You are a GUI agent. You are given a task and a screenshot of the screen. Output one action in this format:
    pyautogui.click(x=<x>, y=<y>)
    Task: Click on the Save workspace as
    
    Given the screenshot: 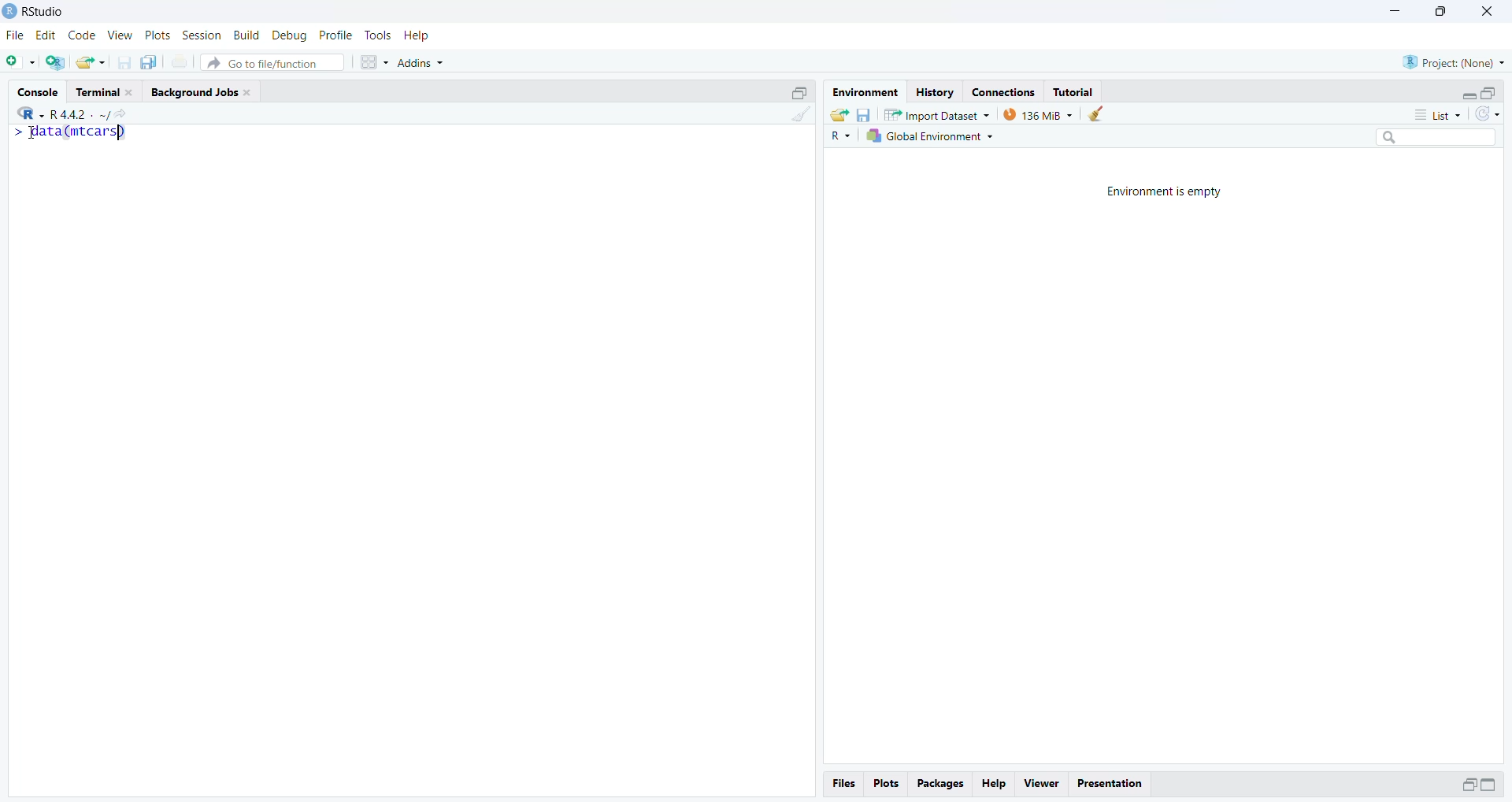 What is the action you would take?
    pyautogui.click(x=864, y=113)
    